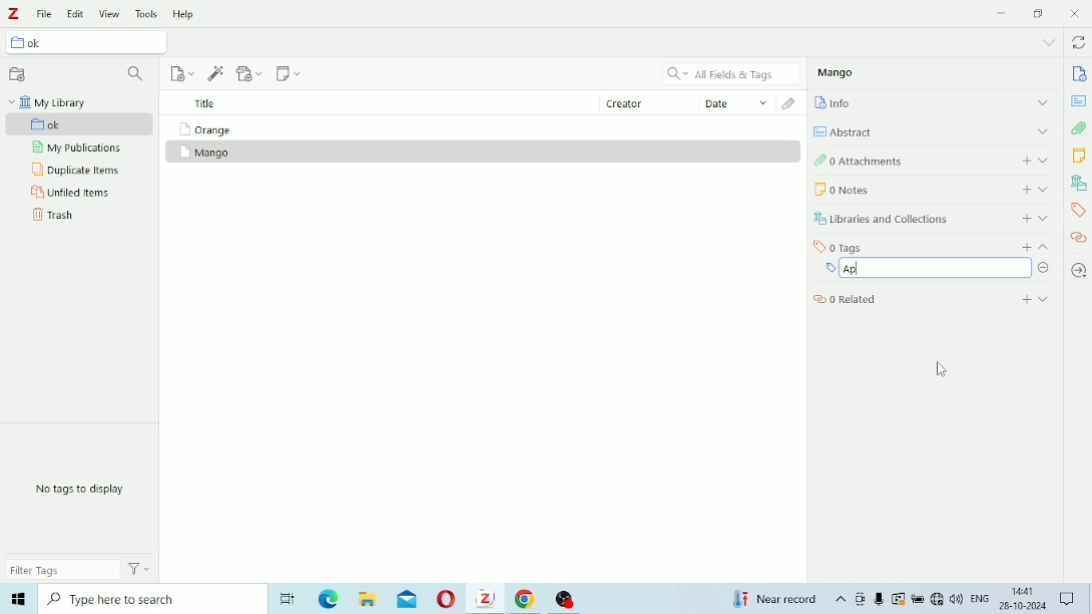  Describe the element at coordinates (1069, 598) in the screenshot. I see `Notifications` at that location.